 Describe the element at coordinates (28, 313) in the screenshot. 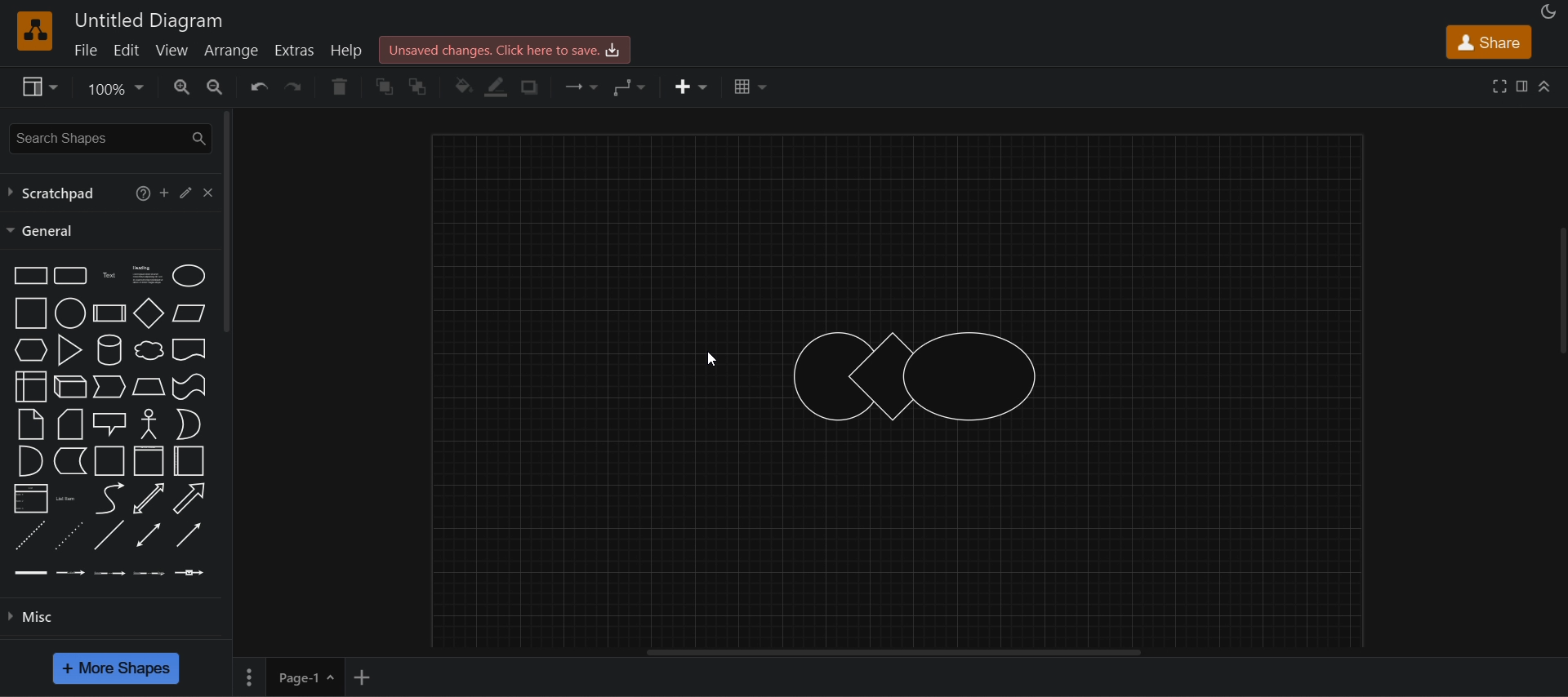

I see `square` at that location.